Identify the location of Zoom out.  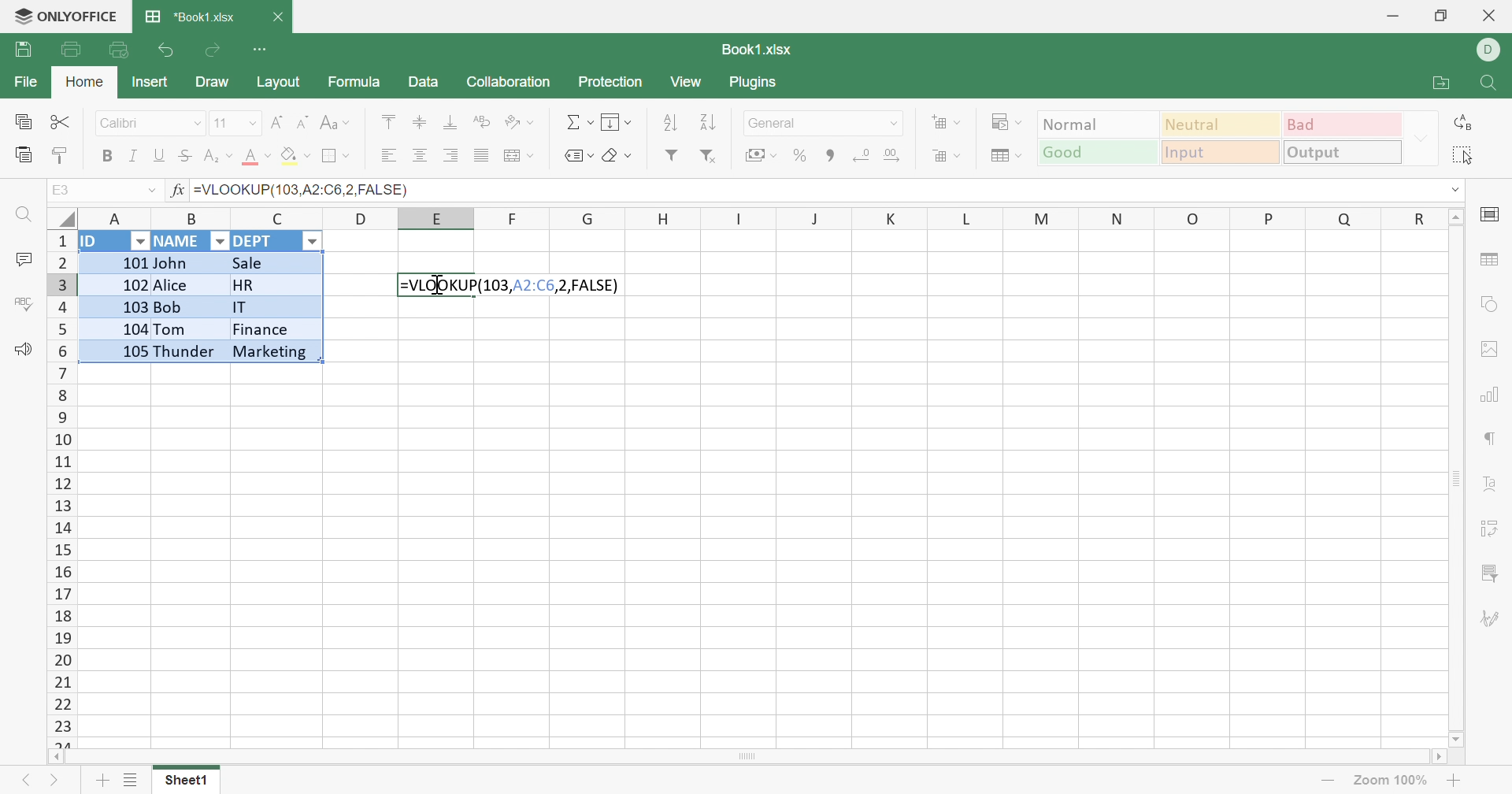
(1330, 780).